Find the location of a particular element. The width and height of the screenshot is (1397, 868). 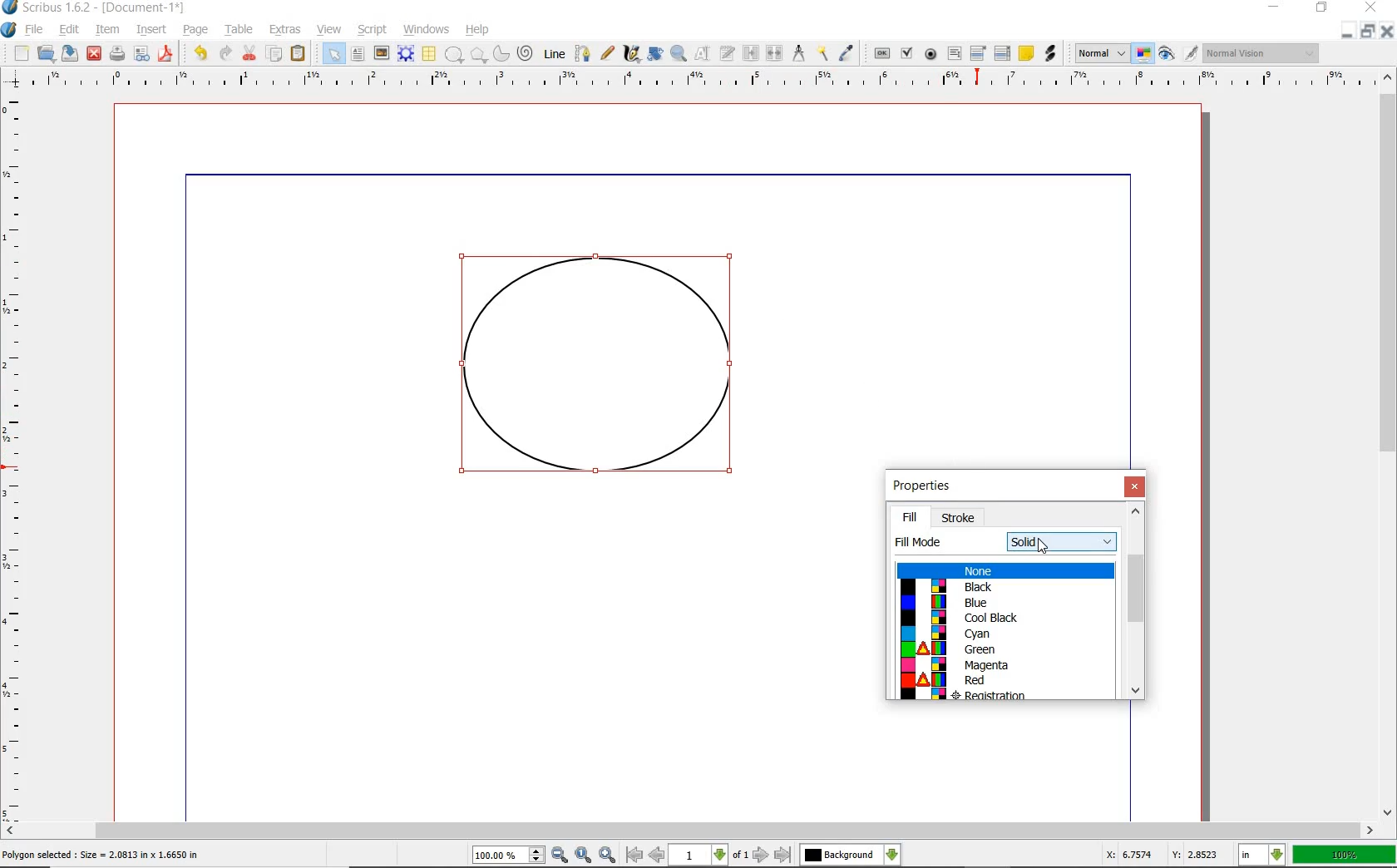

fill mode is located at coordinates (916, 542).